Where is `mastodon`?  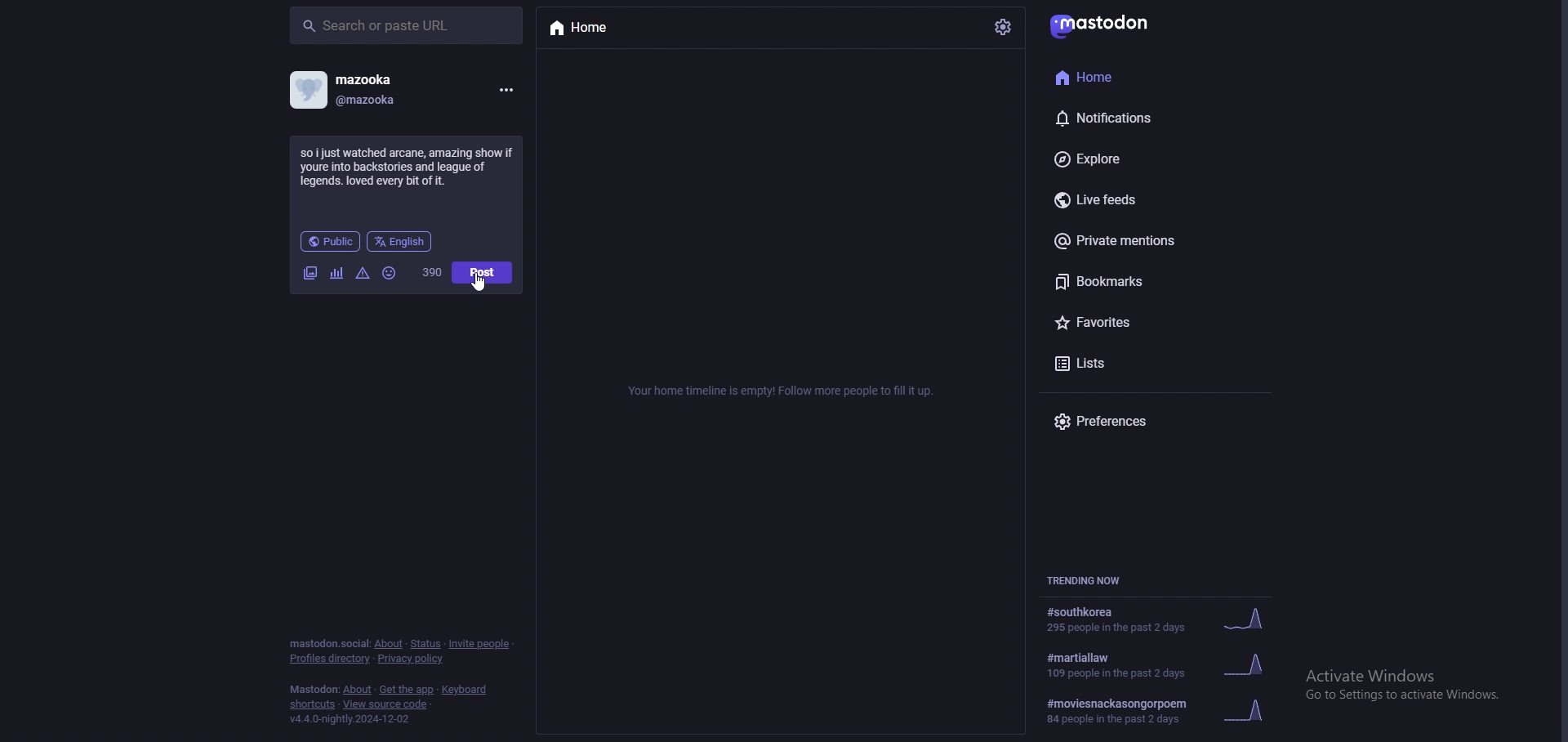 mastodon is located at coordinates (1107, 24).